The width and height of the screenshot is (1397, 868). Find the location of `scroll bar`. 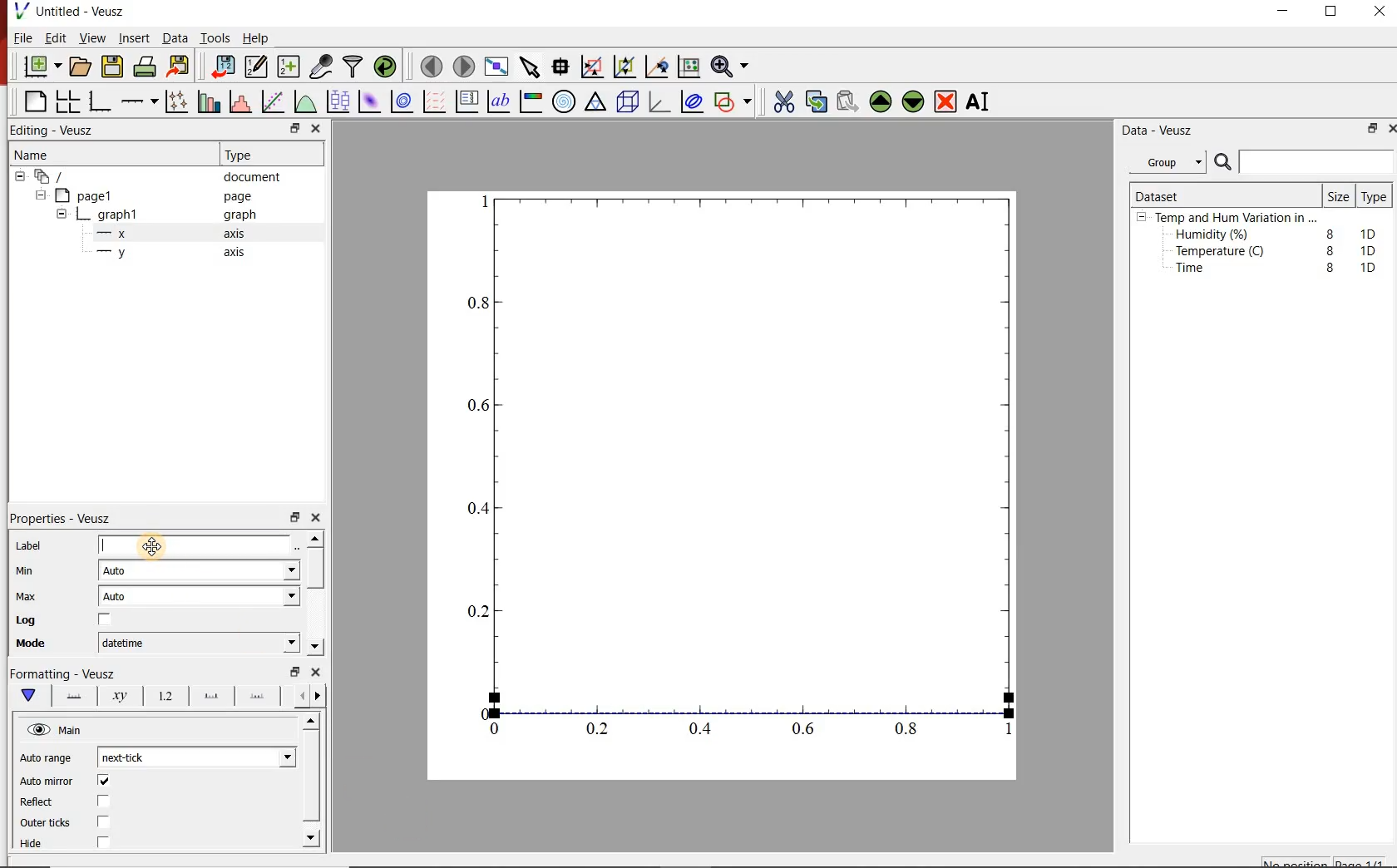

scroll bar is located at coordinates (318, 591).